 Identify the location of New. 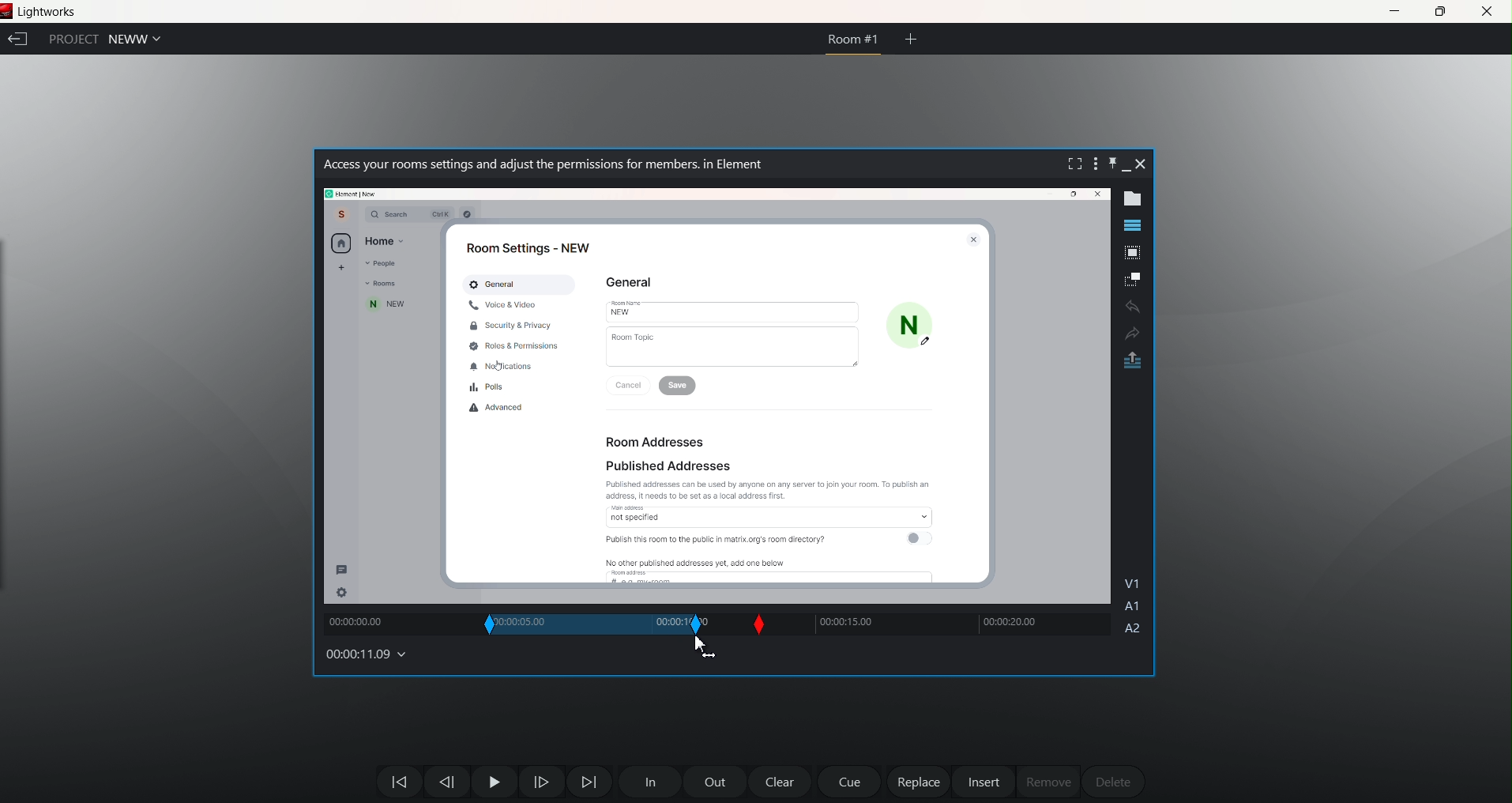
(735, 311).